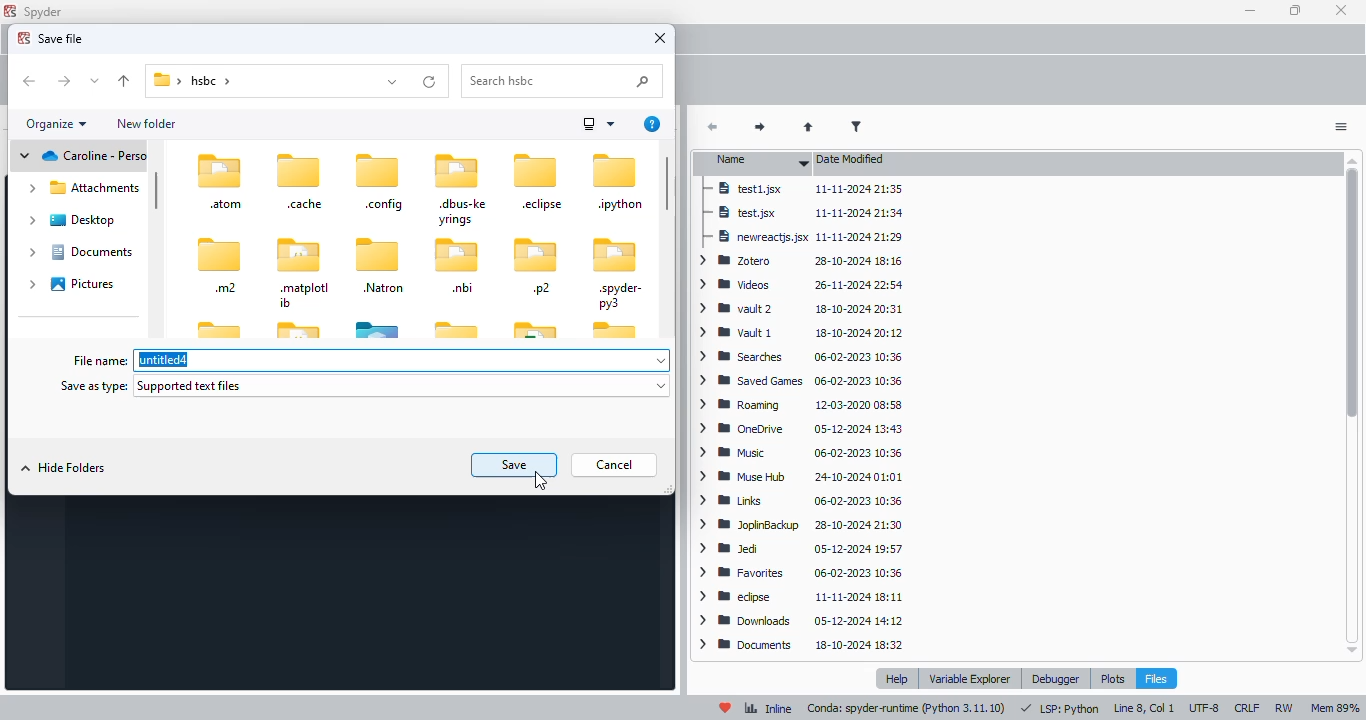 This screenshot has width=1366, height=720. What do you see at coordinates (429, 81) in the screenshot?
I see `refresh folder` at bounding box center [429, 81].